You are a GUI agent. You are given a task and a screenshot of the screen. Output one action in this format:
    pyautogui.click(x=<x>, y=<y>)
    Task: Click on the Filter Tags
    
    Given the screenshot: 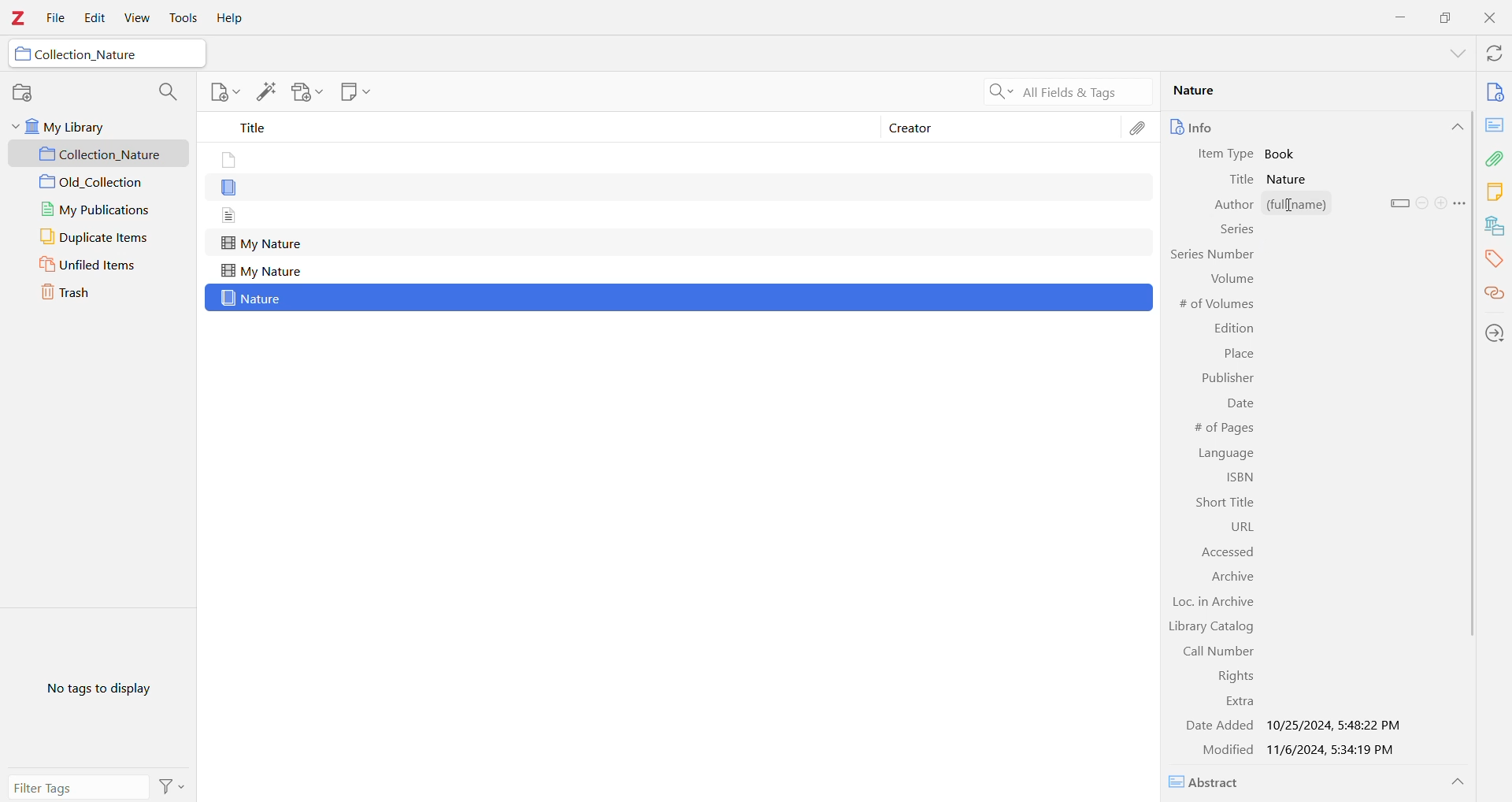 What is the action you would take?
    pyautogui.click(x=78, y=787)
    